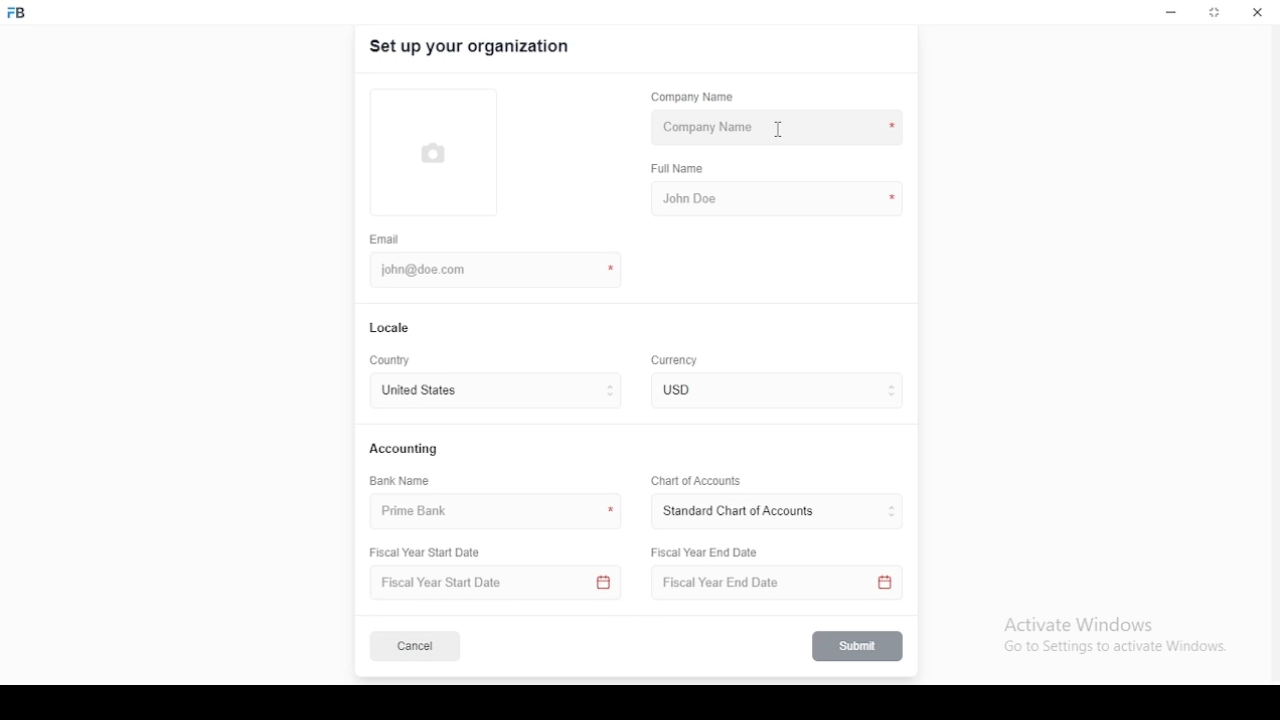  Describe the element at coordinates (423, 512) in the screenshot. I see `prime bank` at that location.